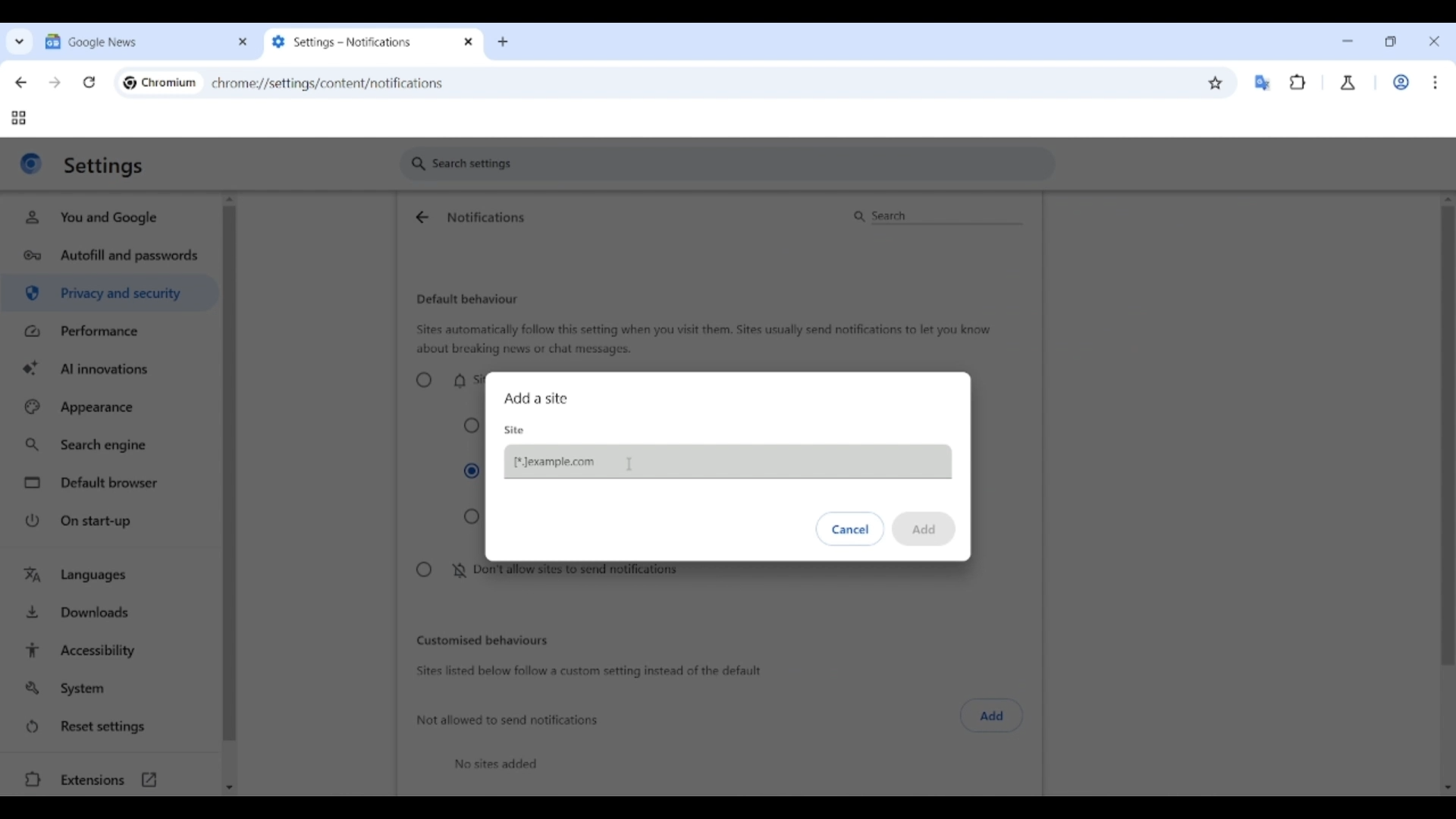  I want to click on Browser extensions, so click(1298, 82).